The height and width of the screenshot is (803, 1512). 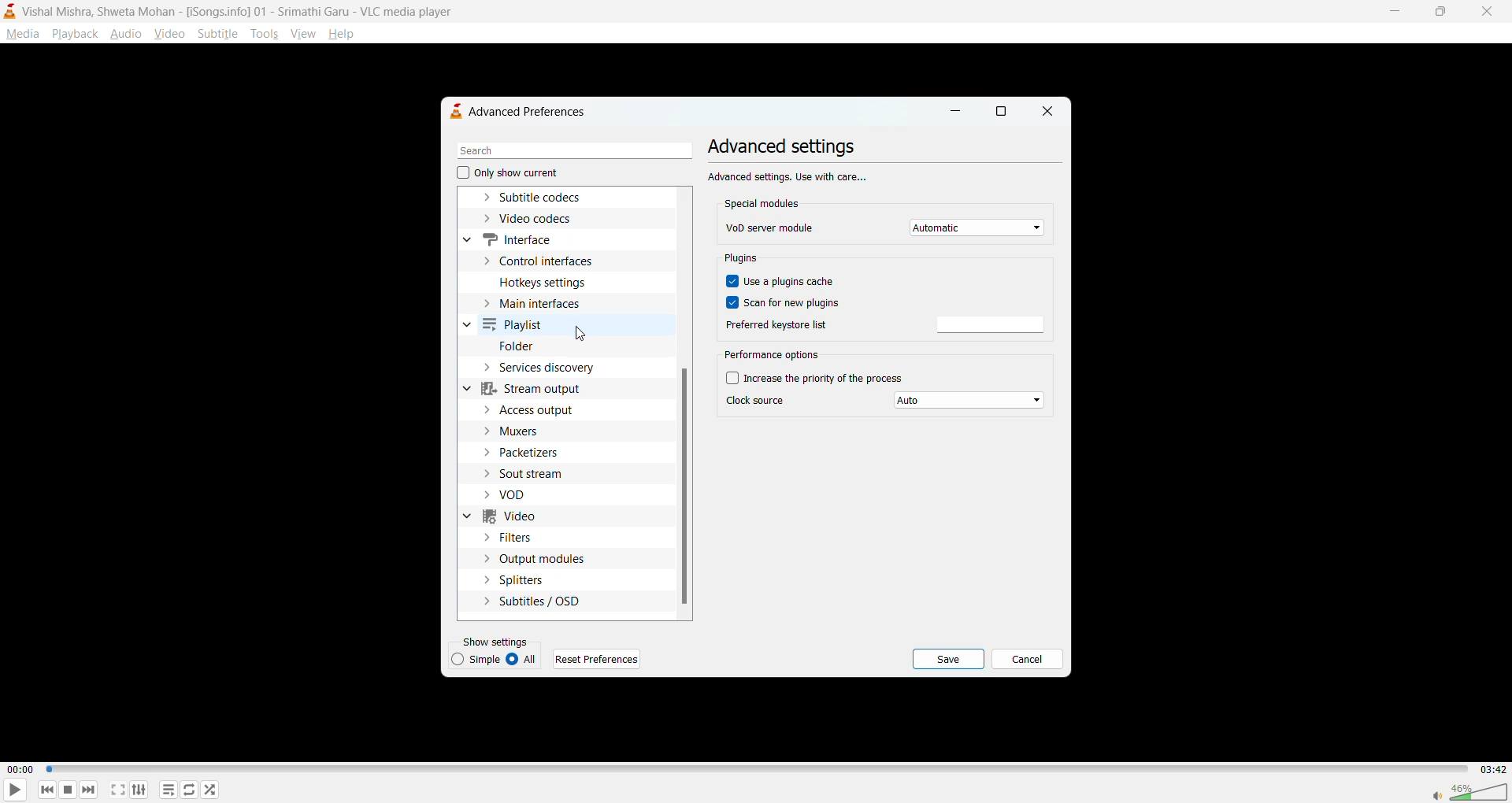 I want to click on splitters, so click(x=514, y=580).